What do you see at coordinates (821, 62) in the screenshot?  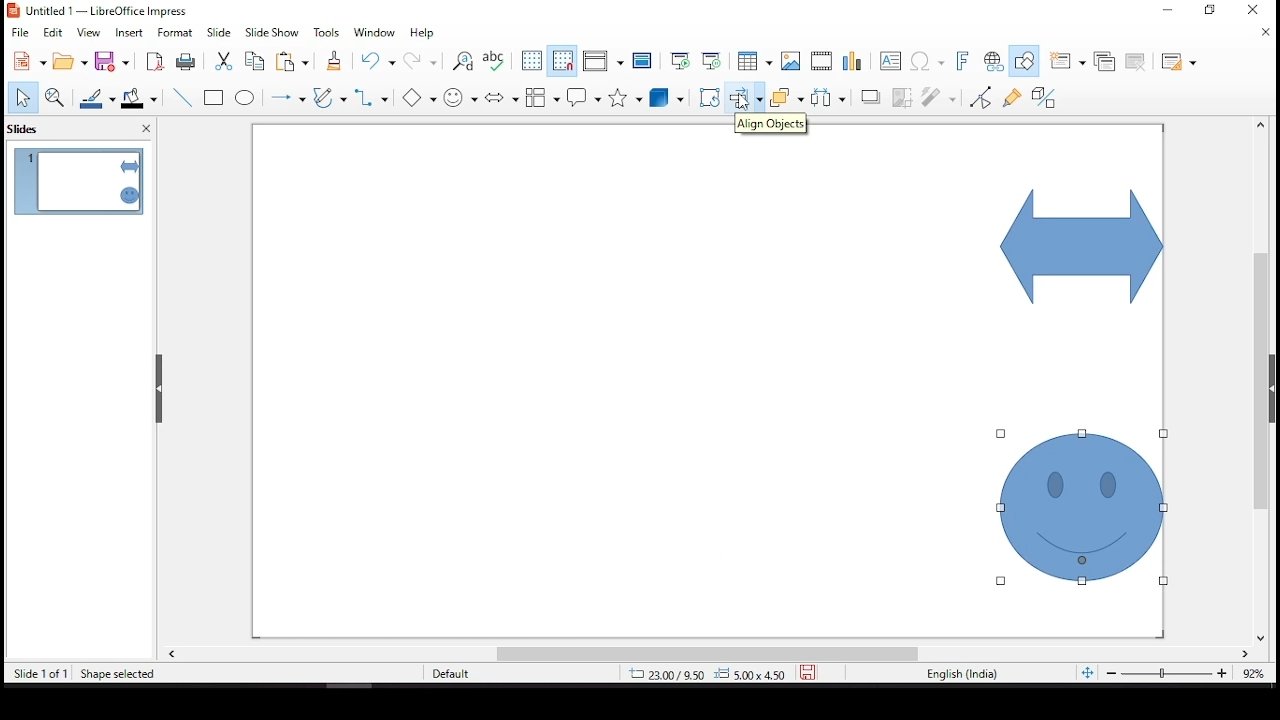 I see `insert audio or video` at bounding box center [821, 62].